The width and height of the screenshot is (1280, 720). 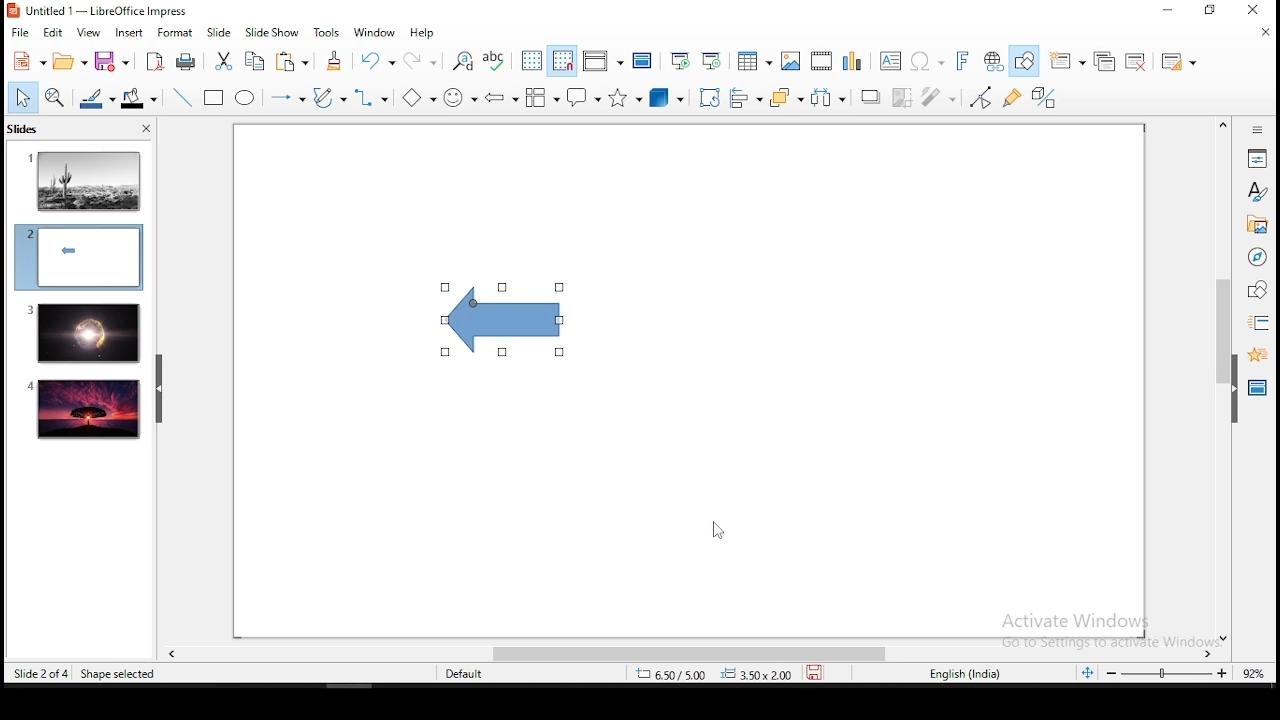 I want to click on edit, so click(x=53, y=33).